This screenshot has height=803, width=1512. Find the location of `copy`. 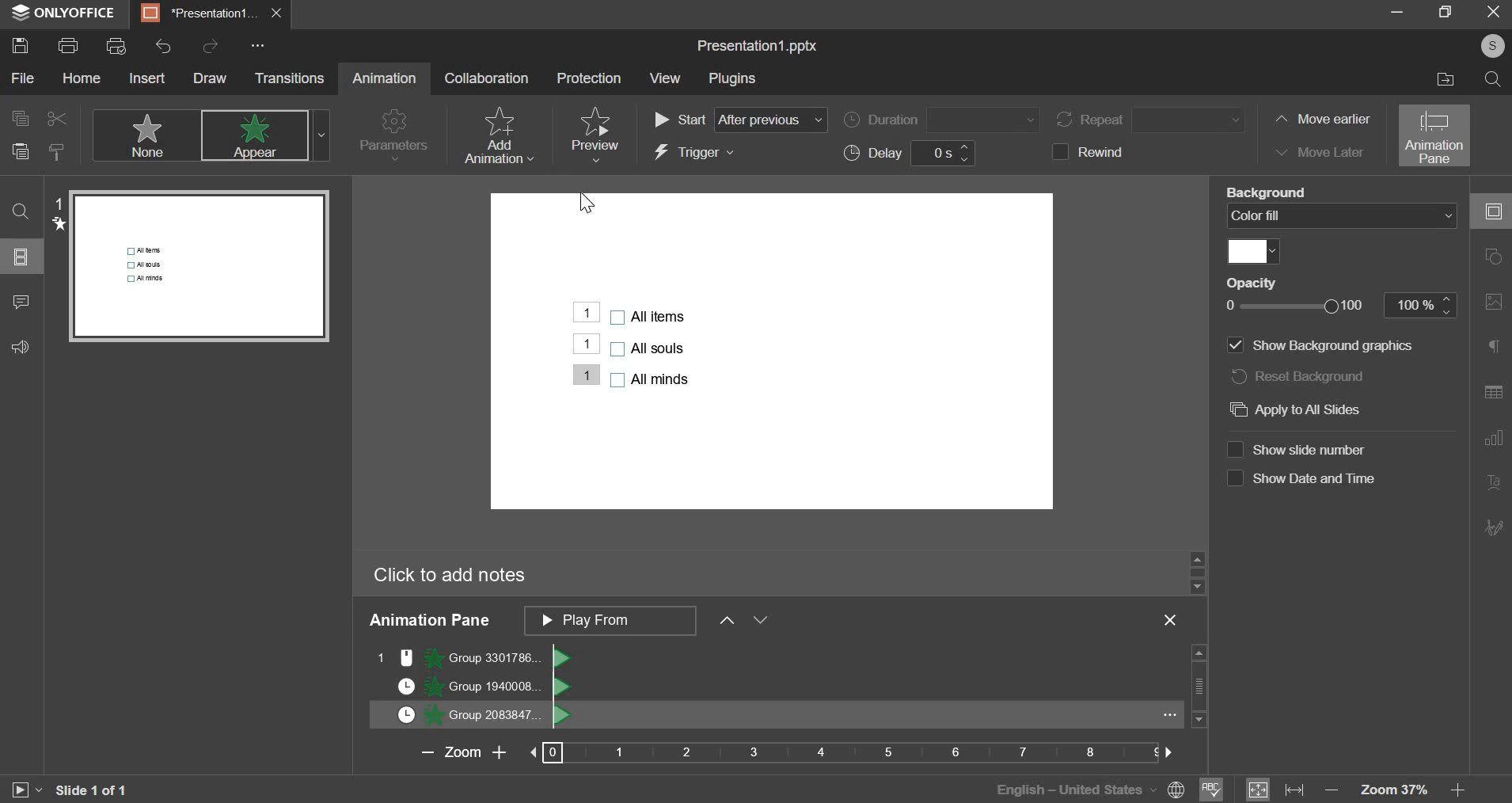

copy is located at coordinates (18, 117).